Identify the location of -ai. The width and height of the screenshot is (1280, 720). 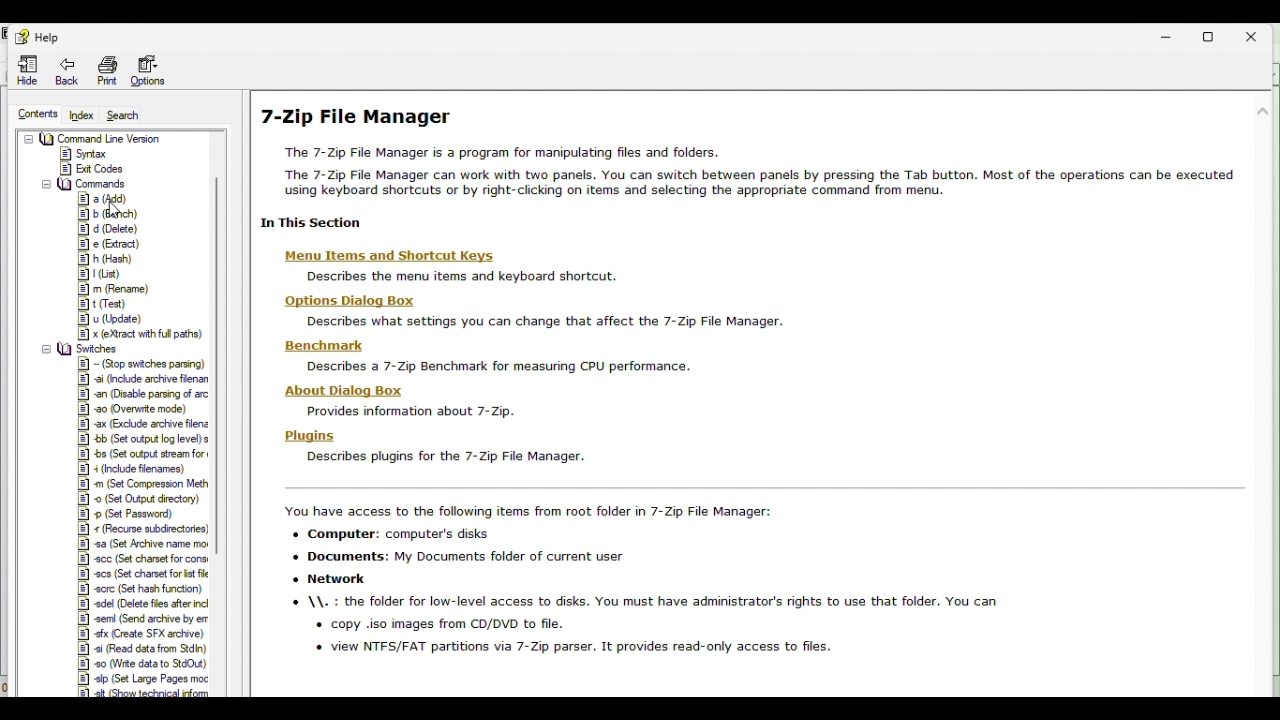
(144, 379).